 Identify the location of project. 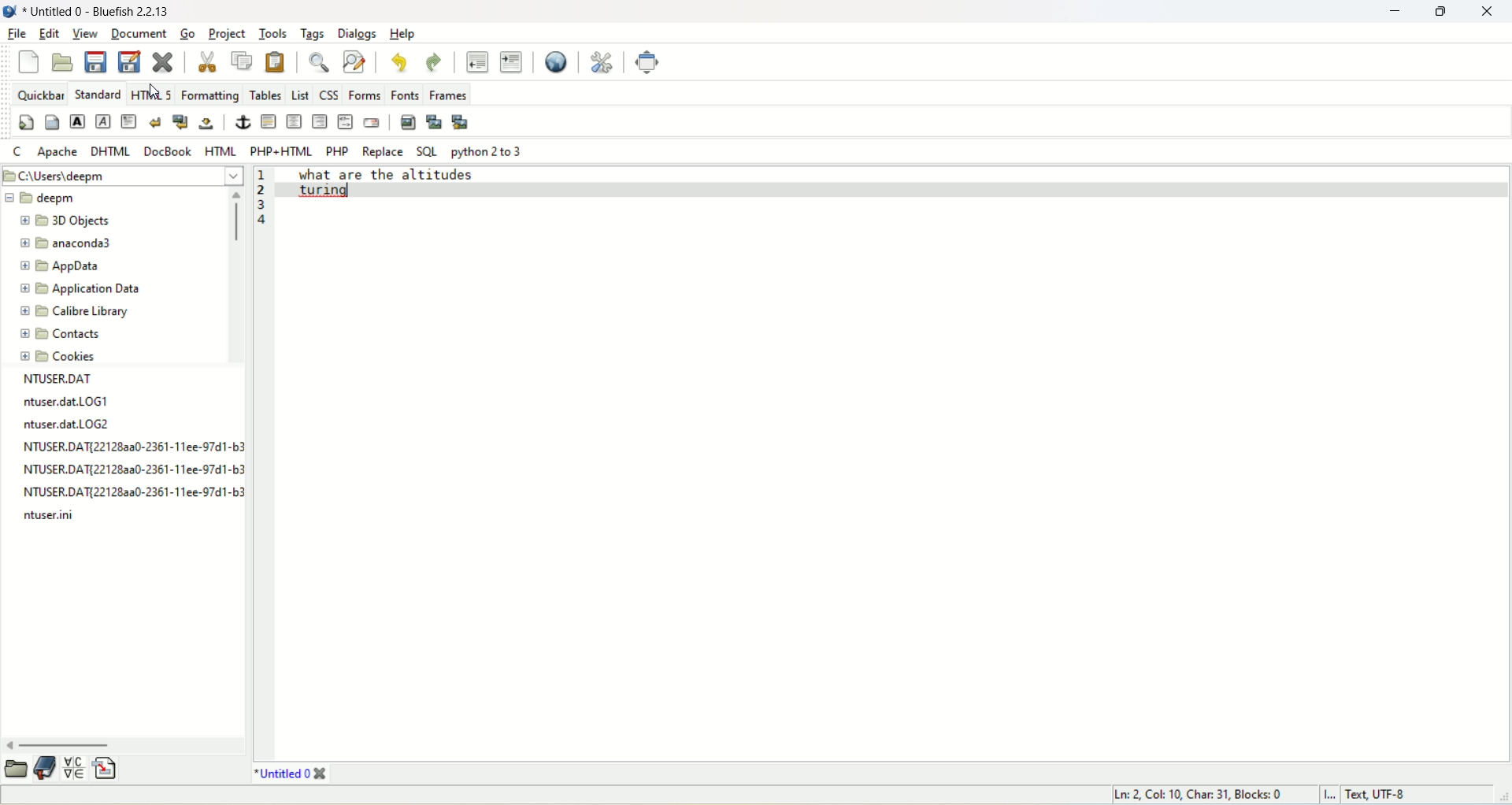
(225, 32).